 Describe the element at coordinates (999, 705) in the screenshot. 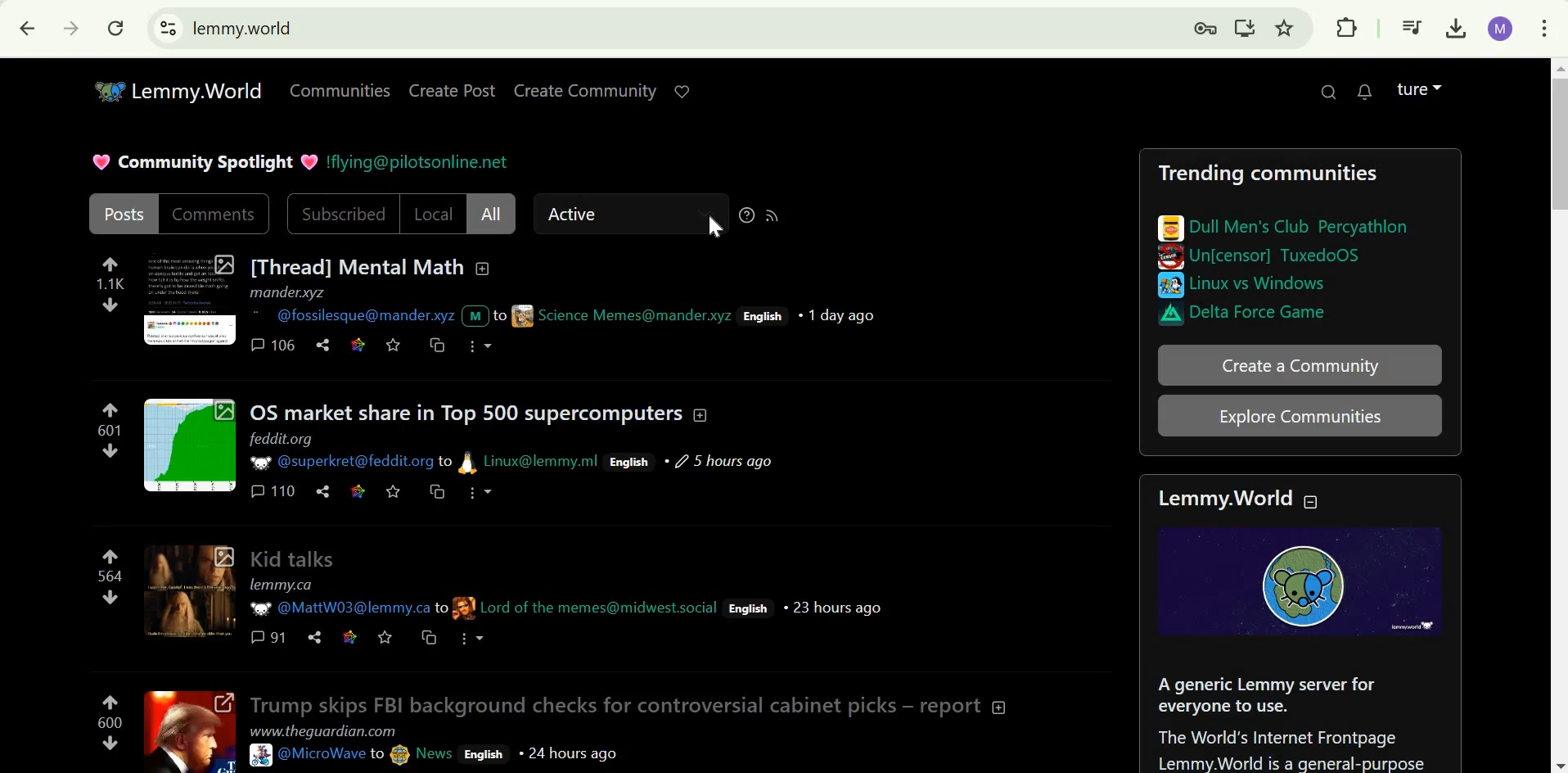

I see `Collapse` at that location.